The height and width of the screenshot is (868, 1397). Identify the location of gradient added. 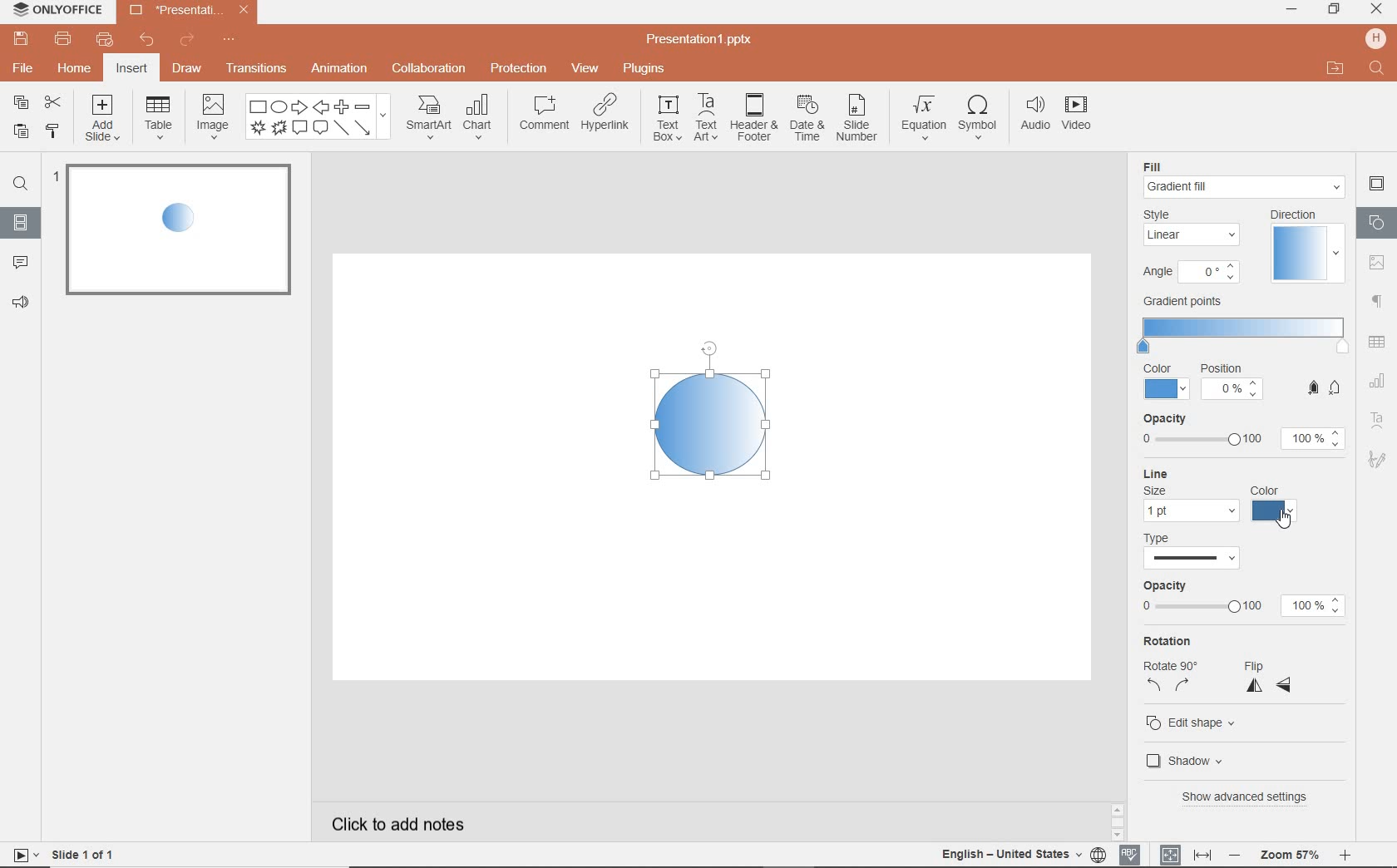
(185, 222).